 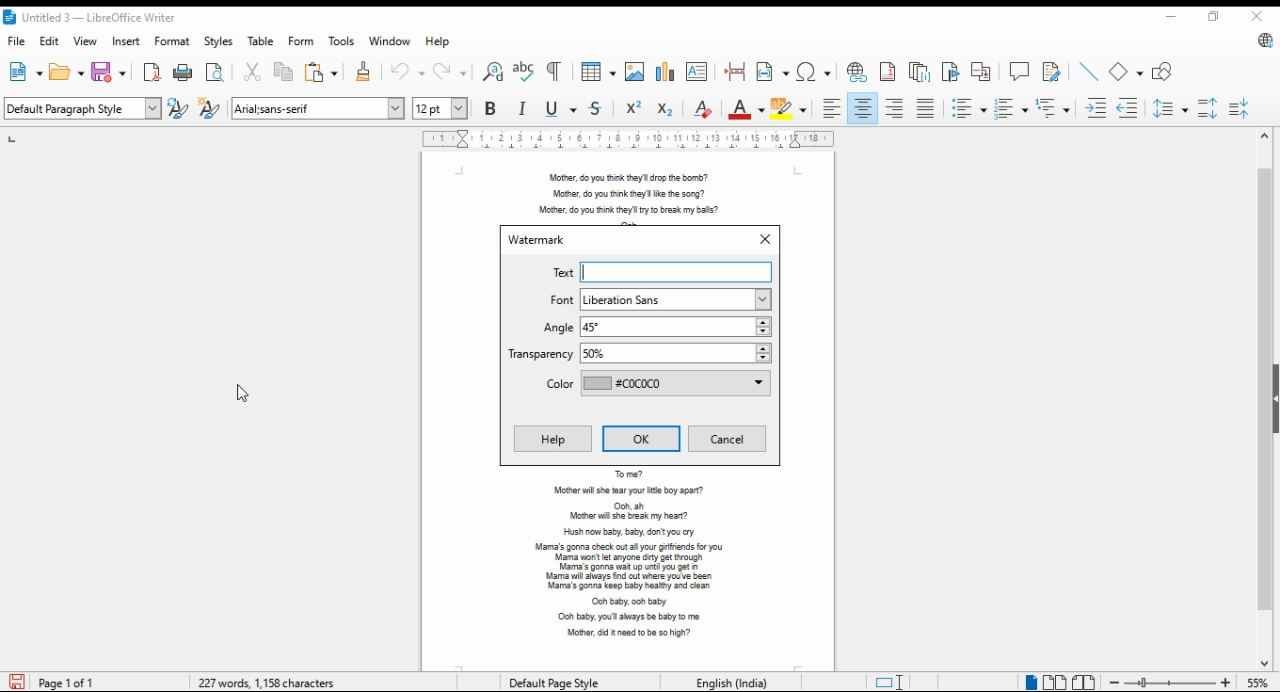 What do you see at coordinates (221, 41) in the screenshot?
I see `styles` at bounding box center [221, 41].